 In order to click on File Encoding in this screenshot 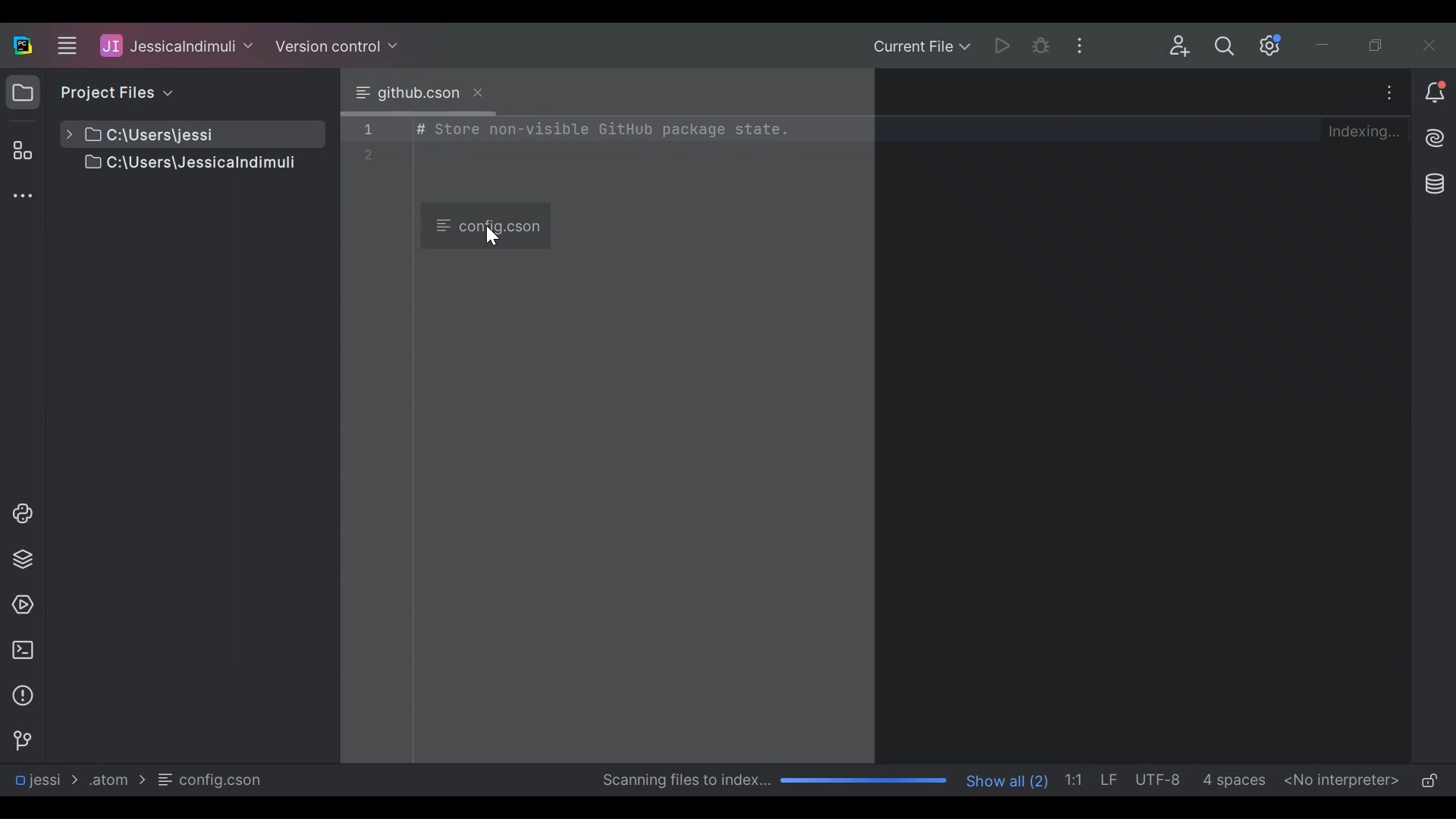, I will do `click(1161, 780)`.